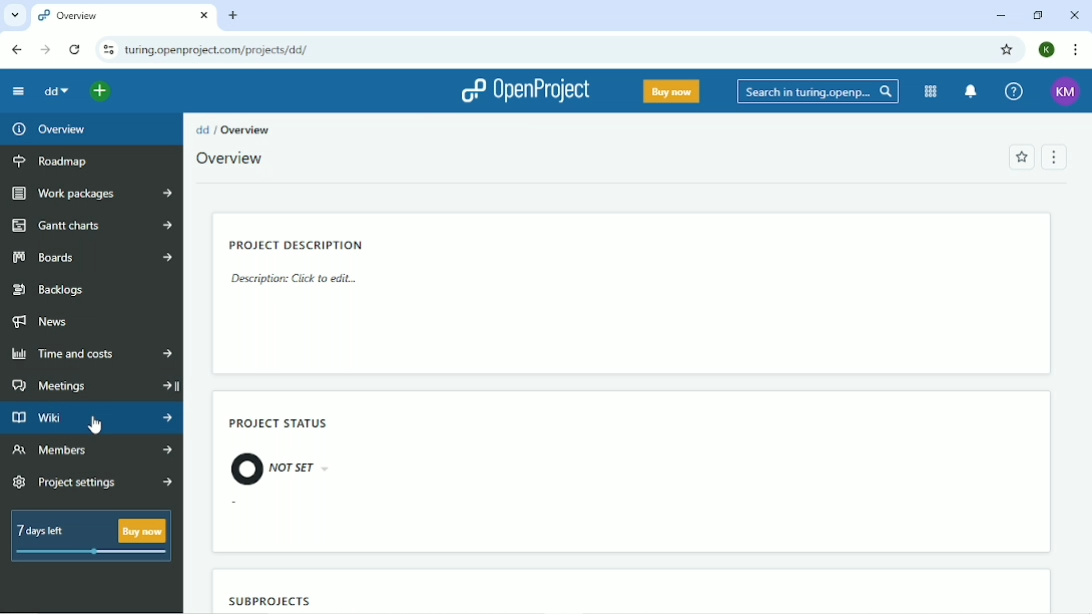 This screenshot has height=614, width=1092. What do you see at coordinates (222, 50) in the screenshot?
I see `Site` at bounding box center [222, 50].